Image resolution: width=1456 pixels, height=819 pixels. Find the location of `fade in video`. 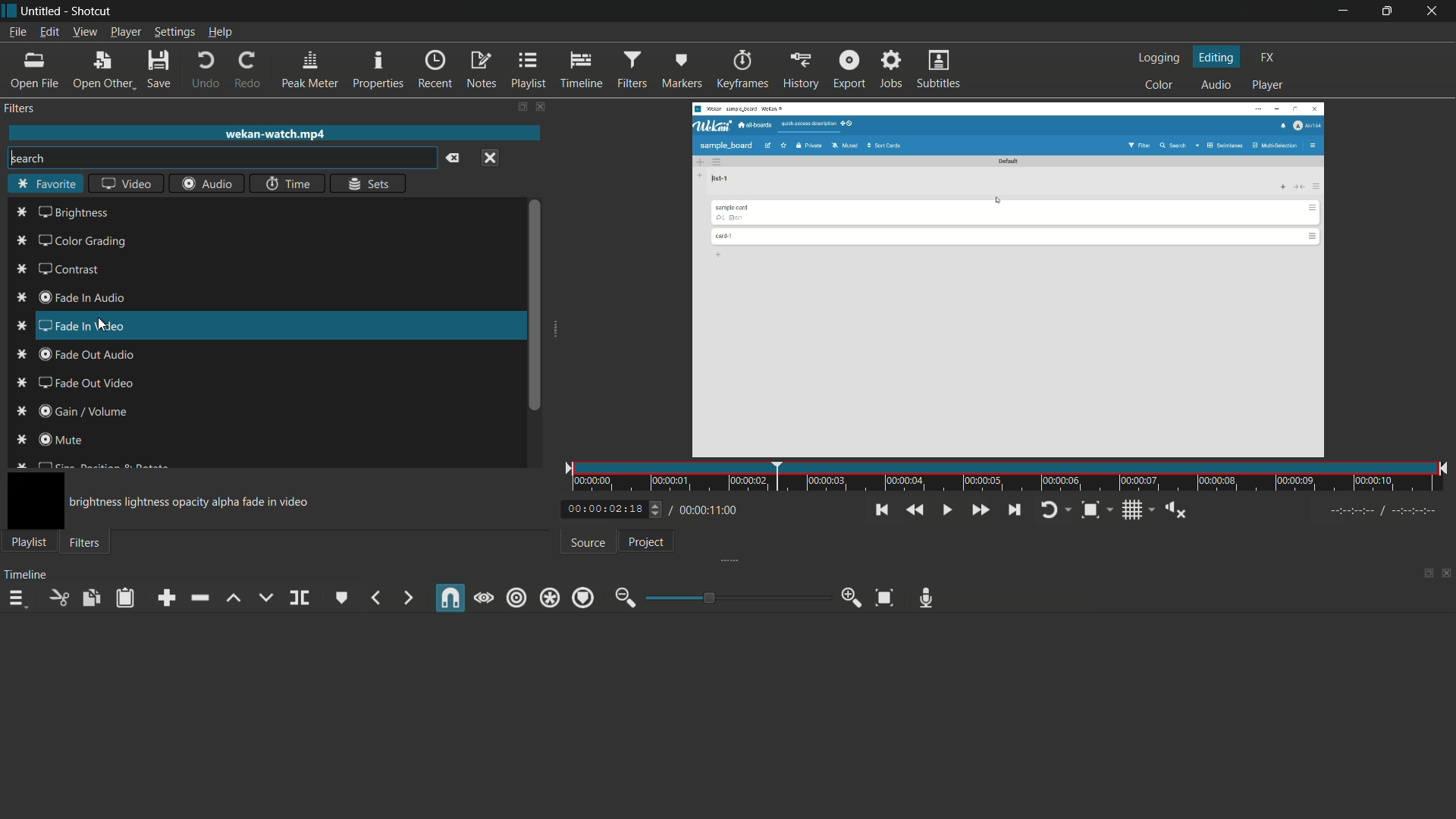

fade in video is located at coordinates (71, 327).